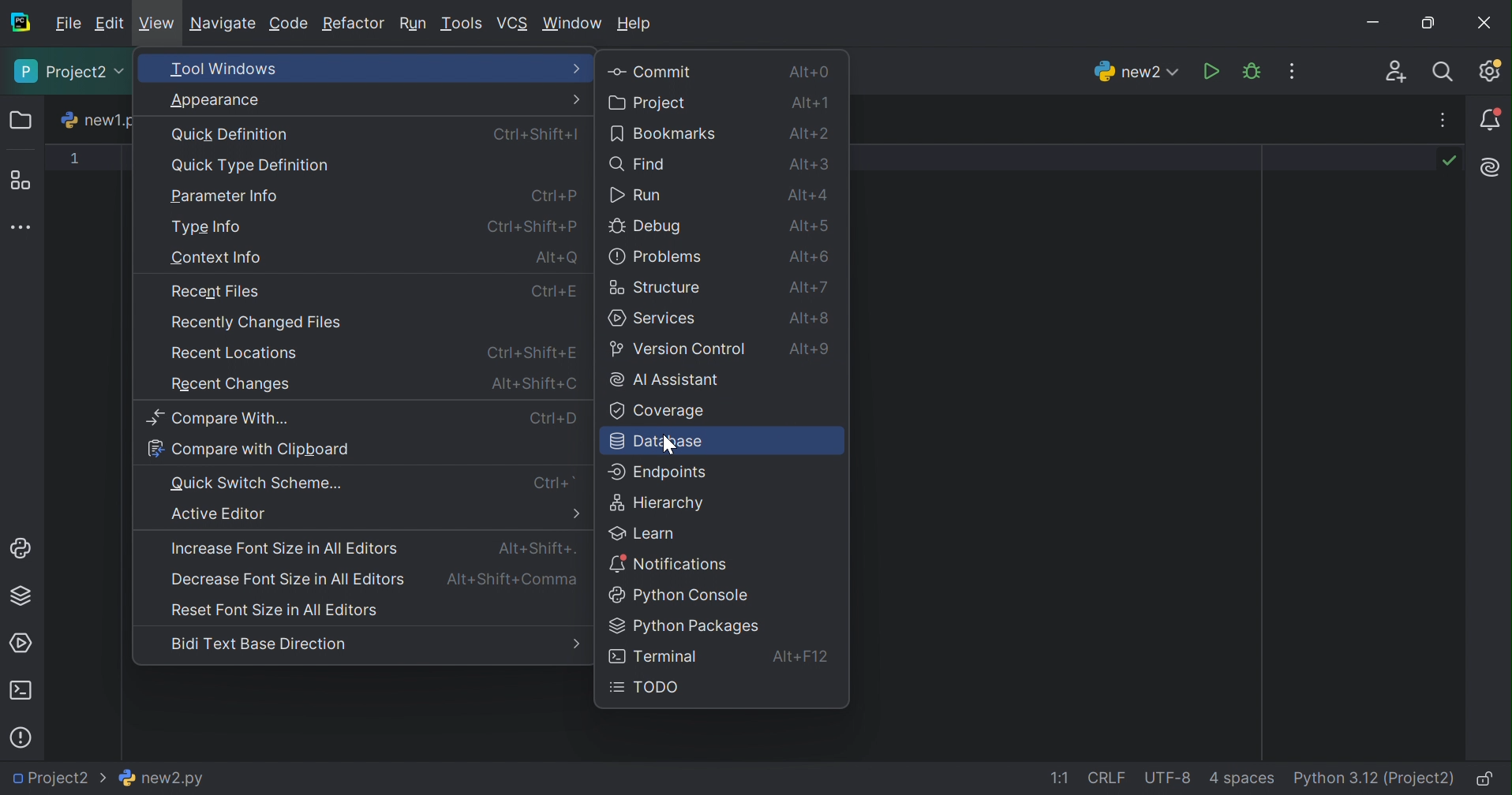  I want to click on More tool windows, so click(22, 228).